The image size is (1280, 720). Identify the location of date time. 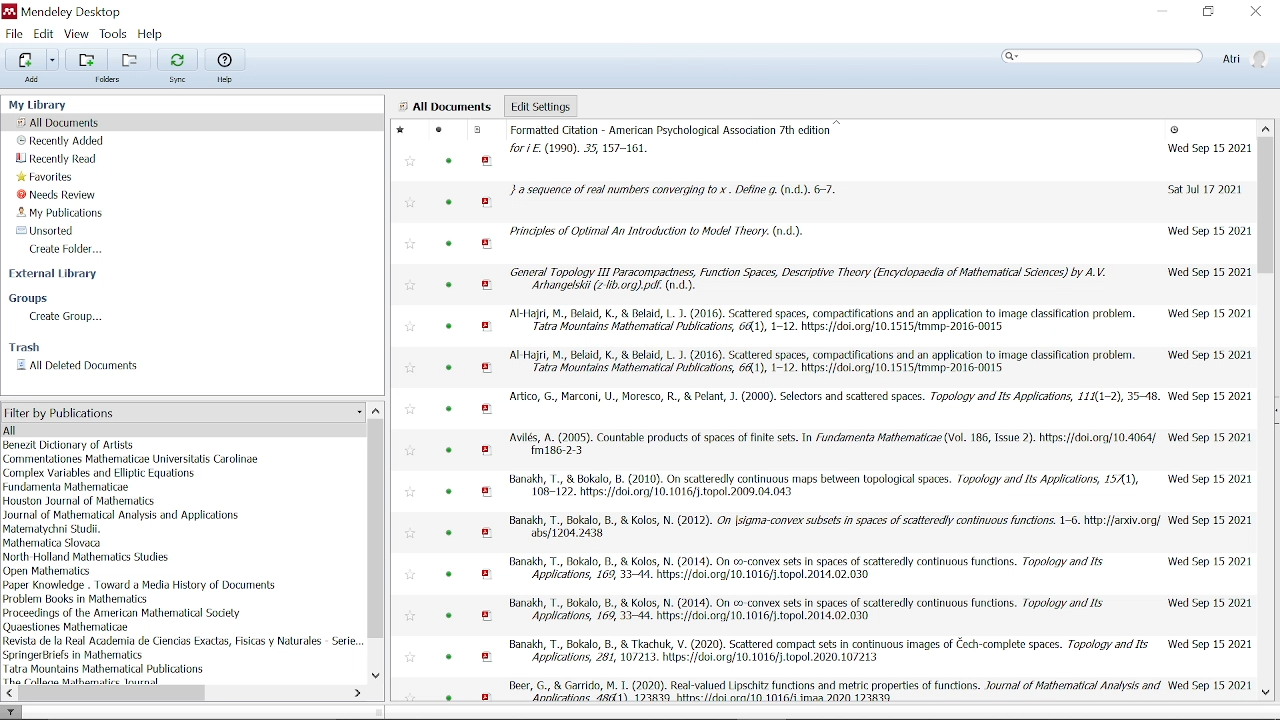
(1208, 561).